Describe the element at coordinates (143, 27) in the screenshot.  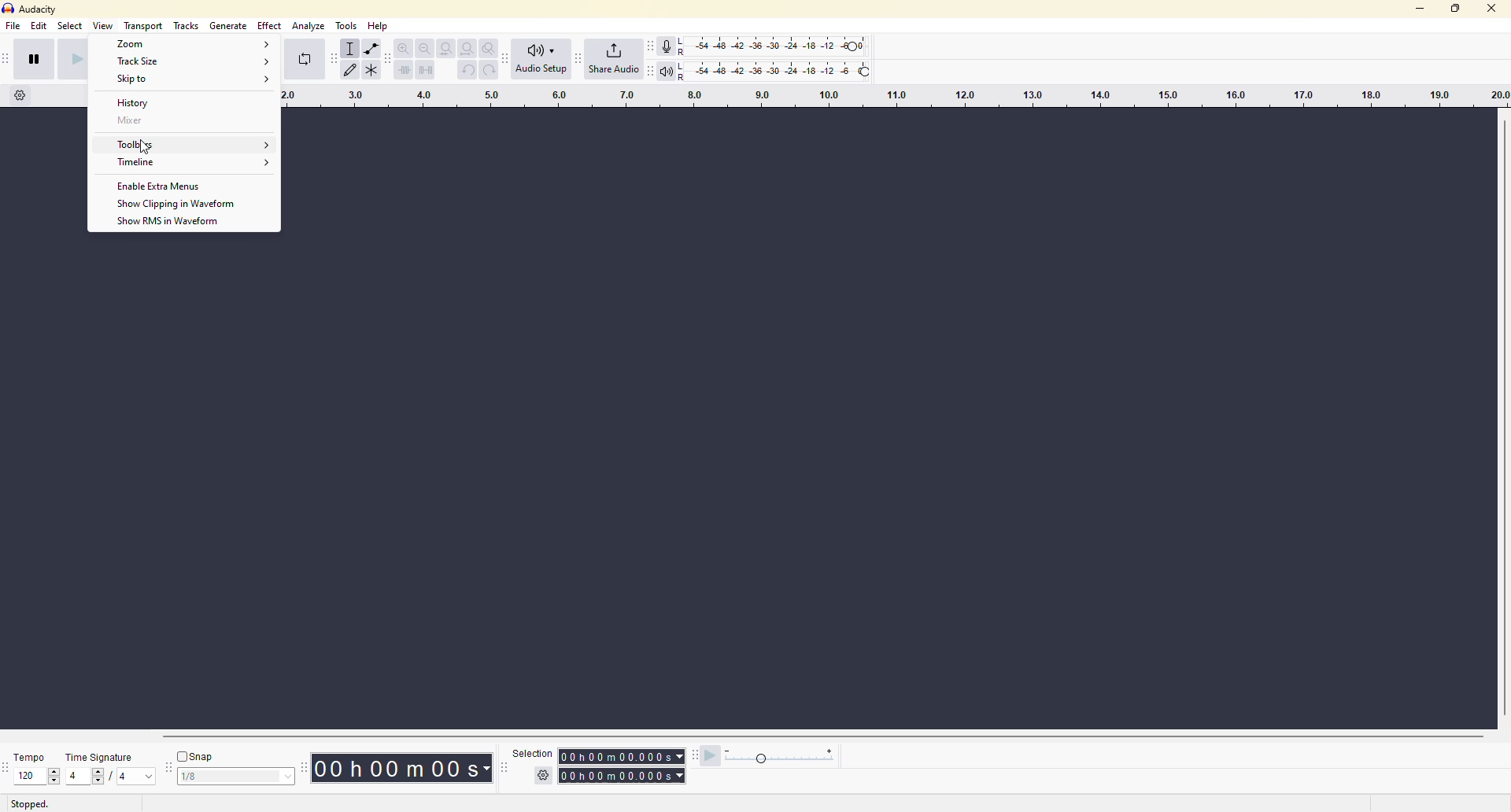
I see `transport` at that location.